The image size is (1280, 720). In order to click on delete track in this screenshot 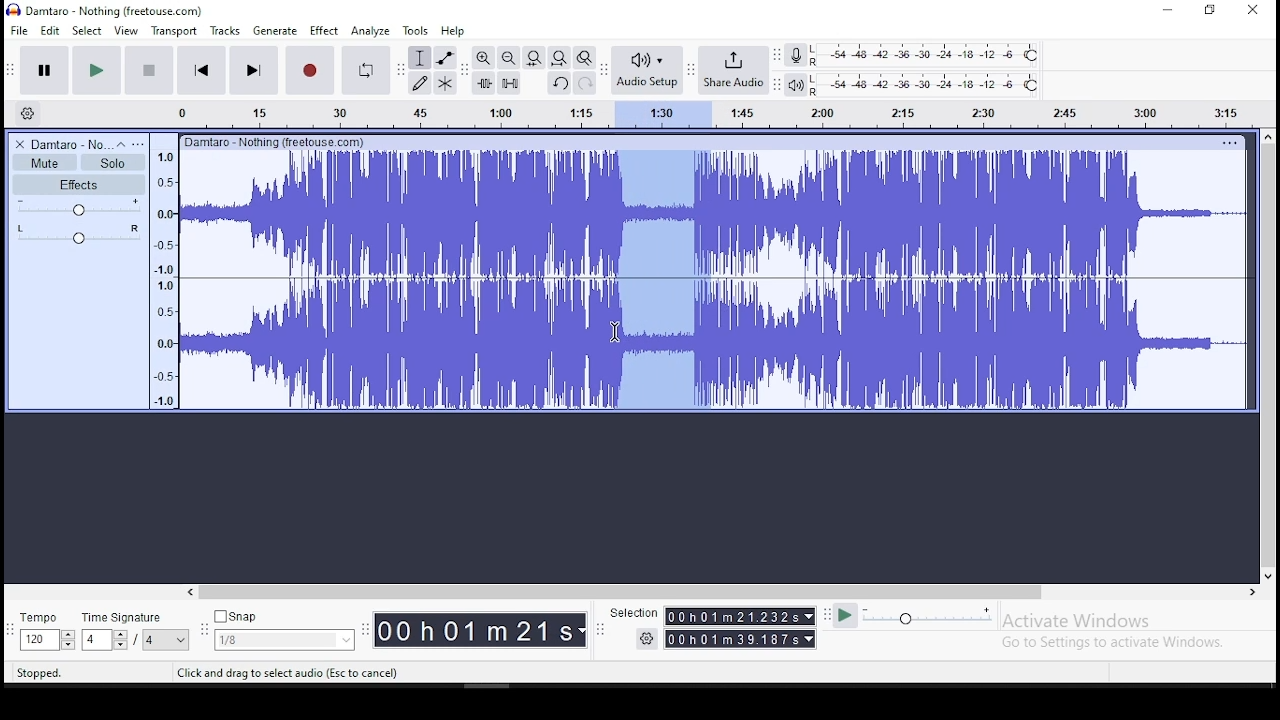, I will do `click(21, 144)`.